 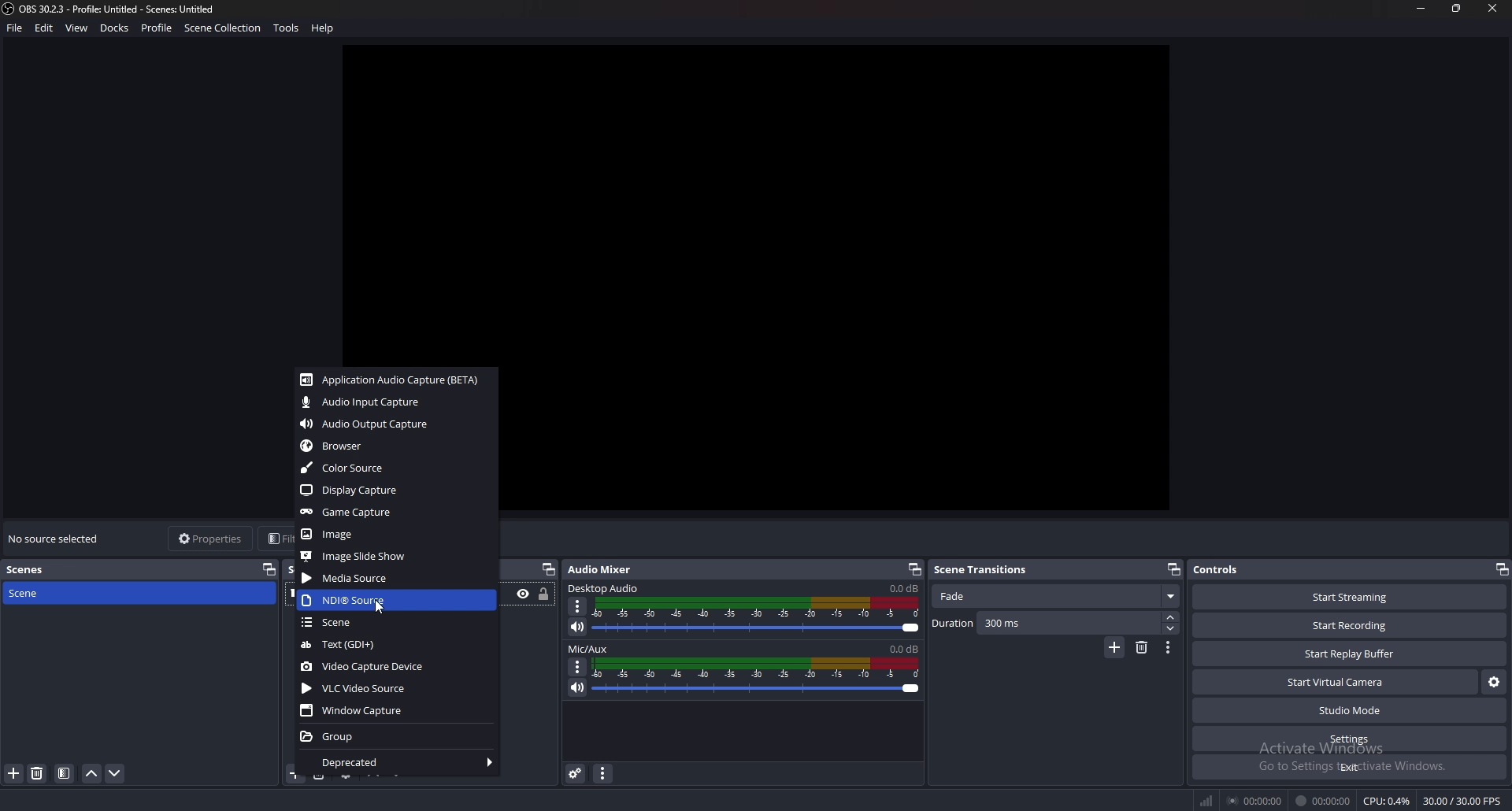 I want to click on audio mixer, so click(x=608, y=569).